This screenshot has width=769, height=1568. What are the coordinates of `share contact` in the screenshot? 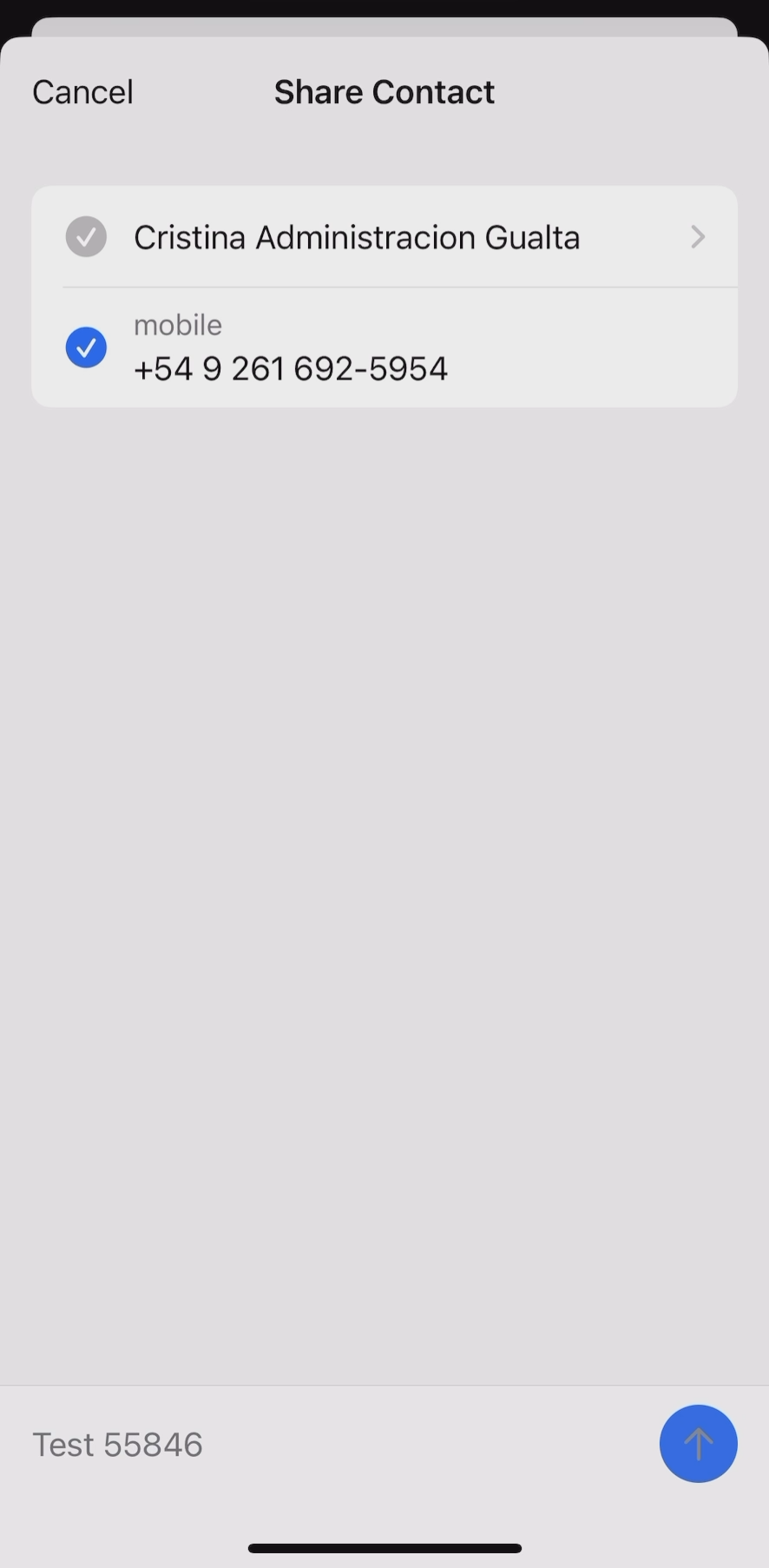 It's located at (385, 89).